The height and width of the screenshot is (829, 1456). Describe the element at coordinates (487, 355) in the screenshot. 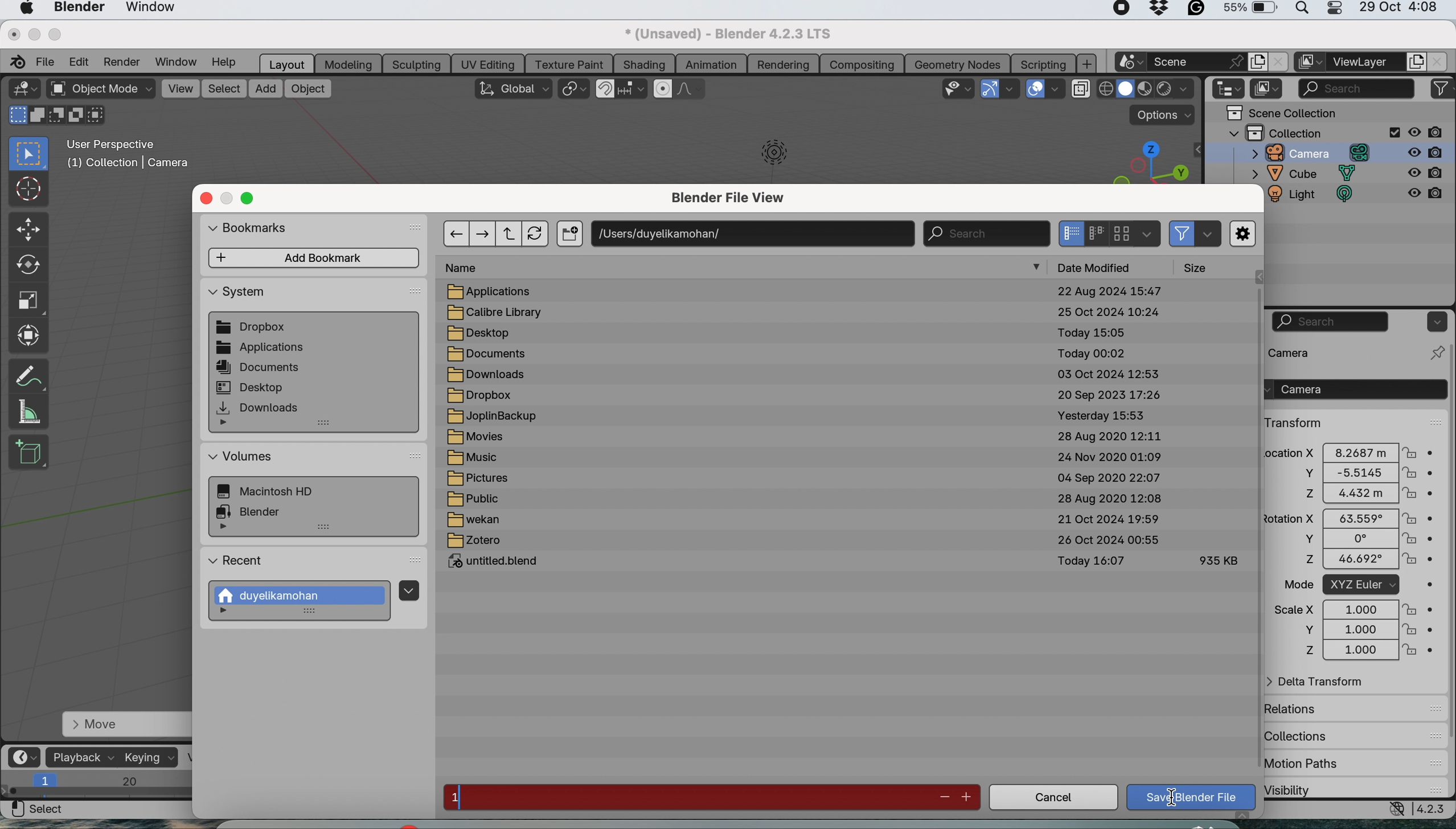

I see `documents` at that location.